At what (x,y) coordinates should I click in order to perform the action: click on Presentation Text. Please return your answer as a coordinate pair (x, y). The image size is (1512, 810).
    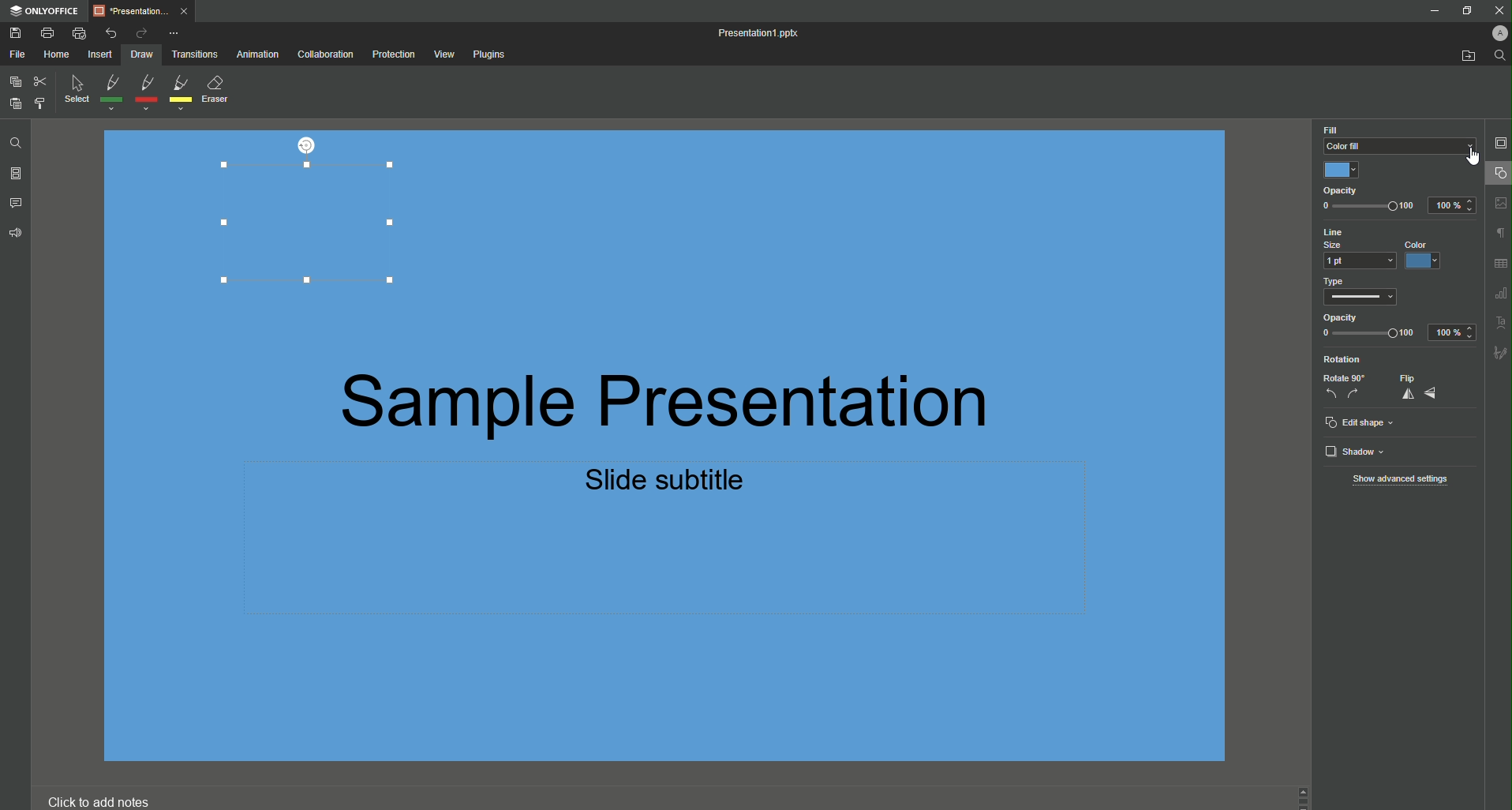
    Looking at the image, I should click on (732, 434).